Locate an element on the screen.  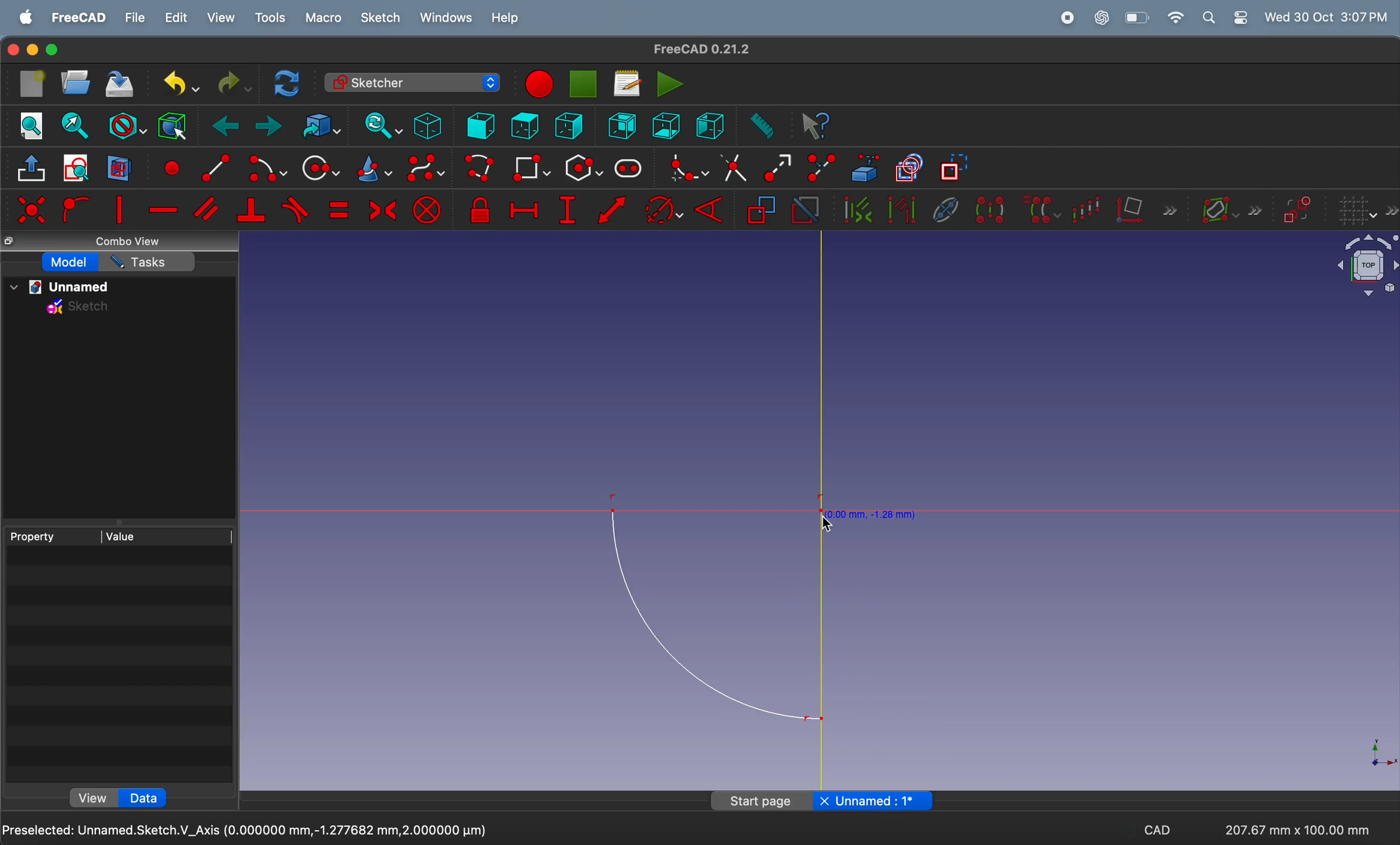
file is located at coordinates (136, 18).